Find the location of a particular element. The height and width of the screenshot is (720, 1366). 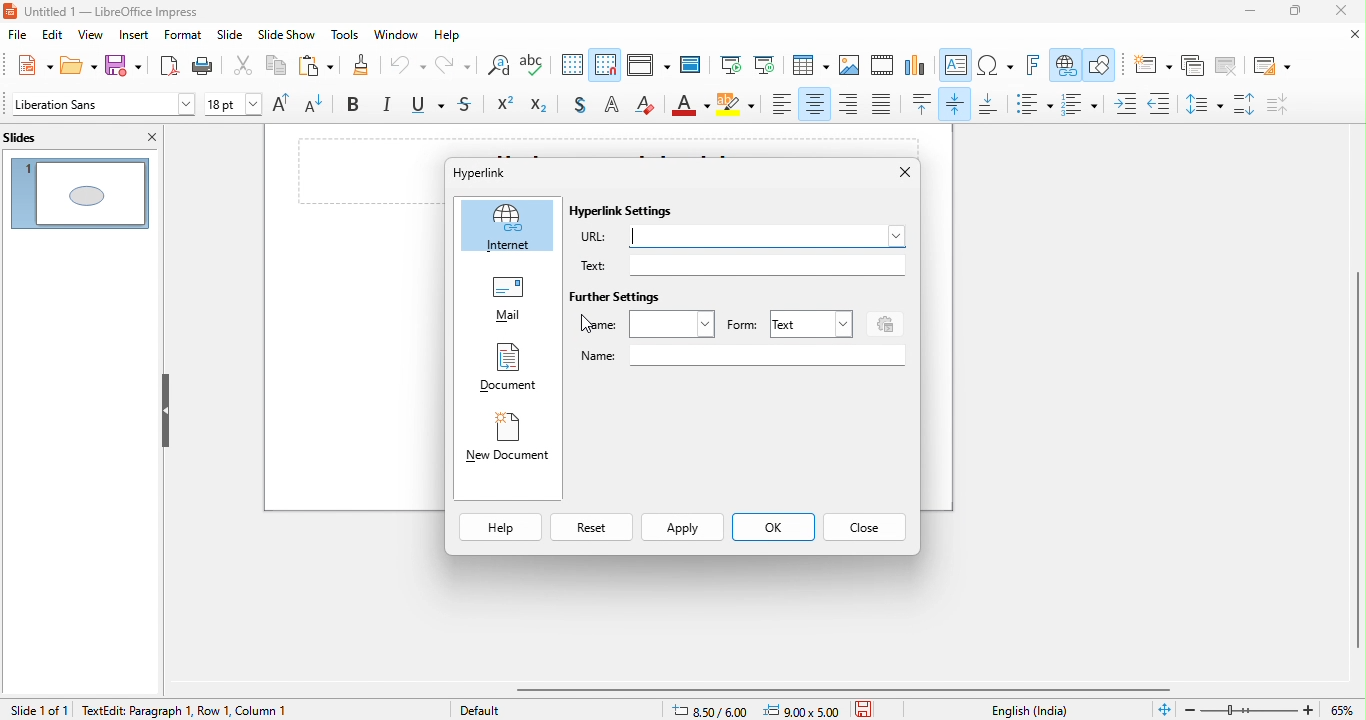

hyperlink is located at coordinates (499, 172).